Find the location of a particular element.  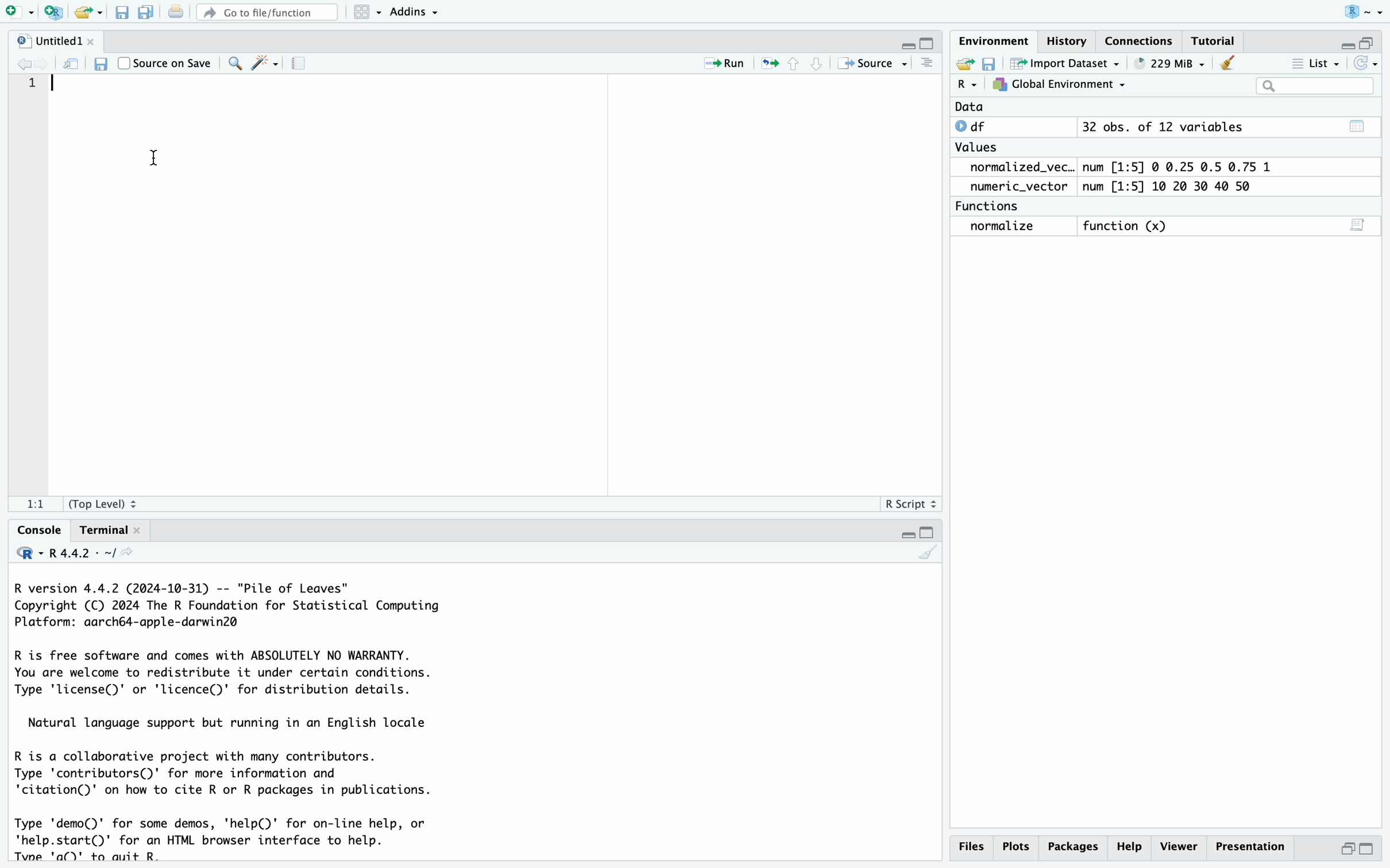

Environment is located at coordinates (994, 43).